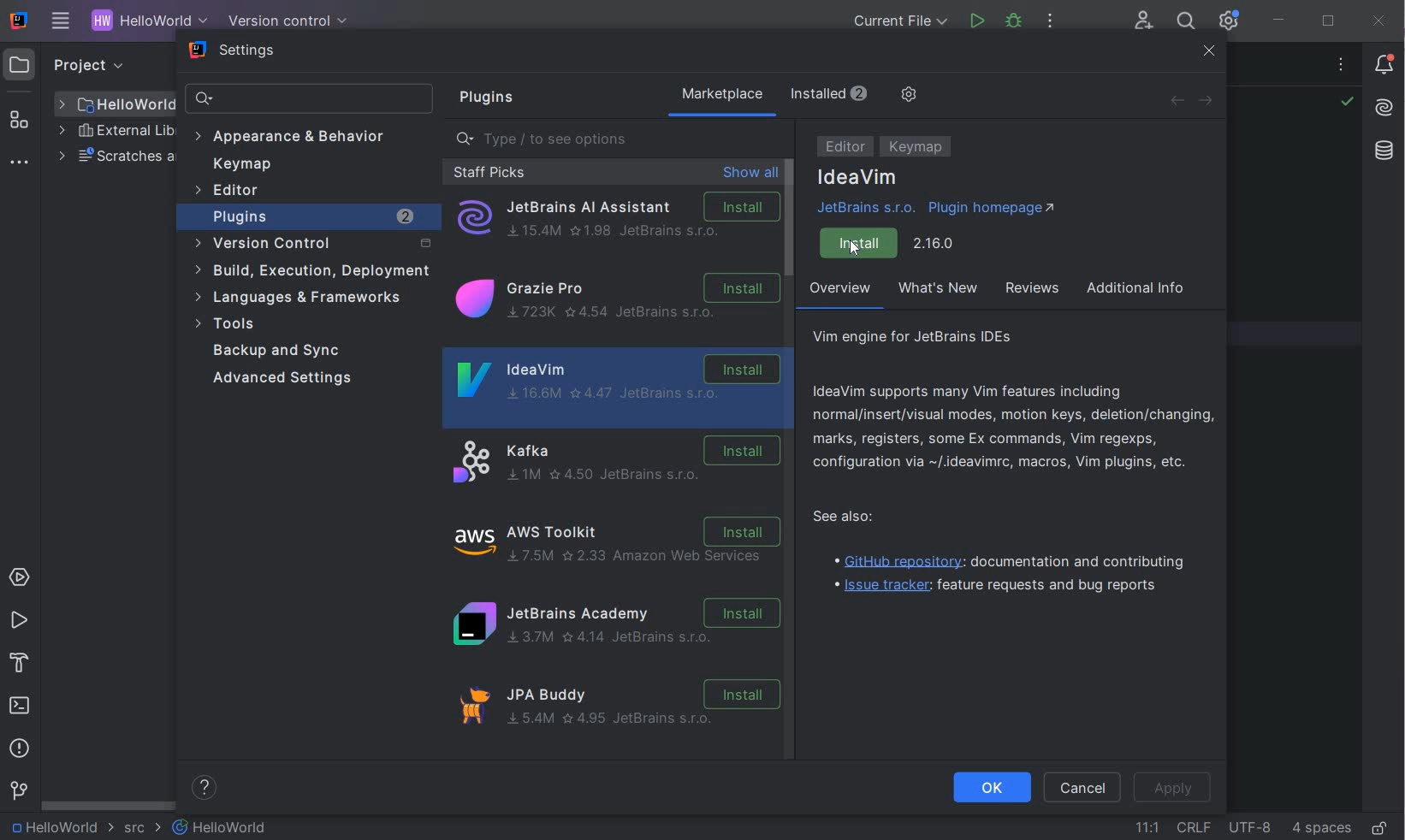 The height and width of the screenshot is (840, 1405). What do you see at coordinates (310, 244) in the screenshot?
I see `version control` at bounding box center [310, 244].